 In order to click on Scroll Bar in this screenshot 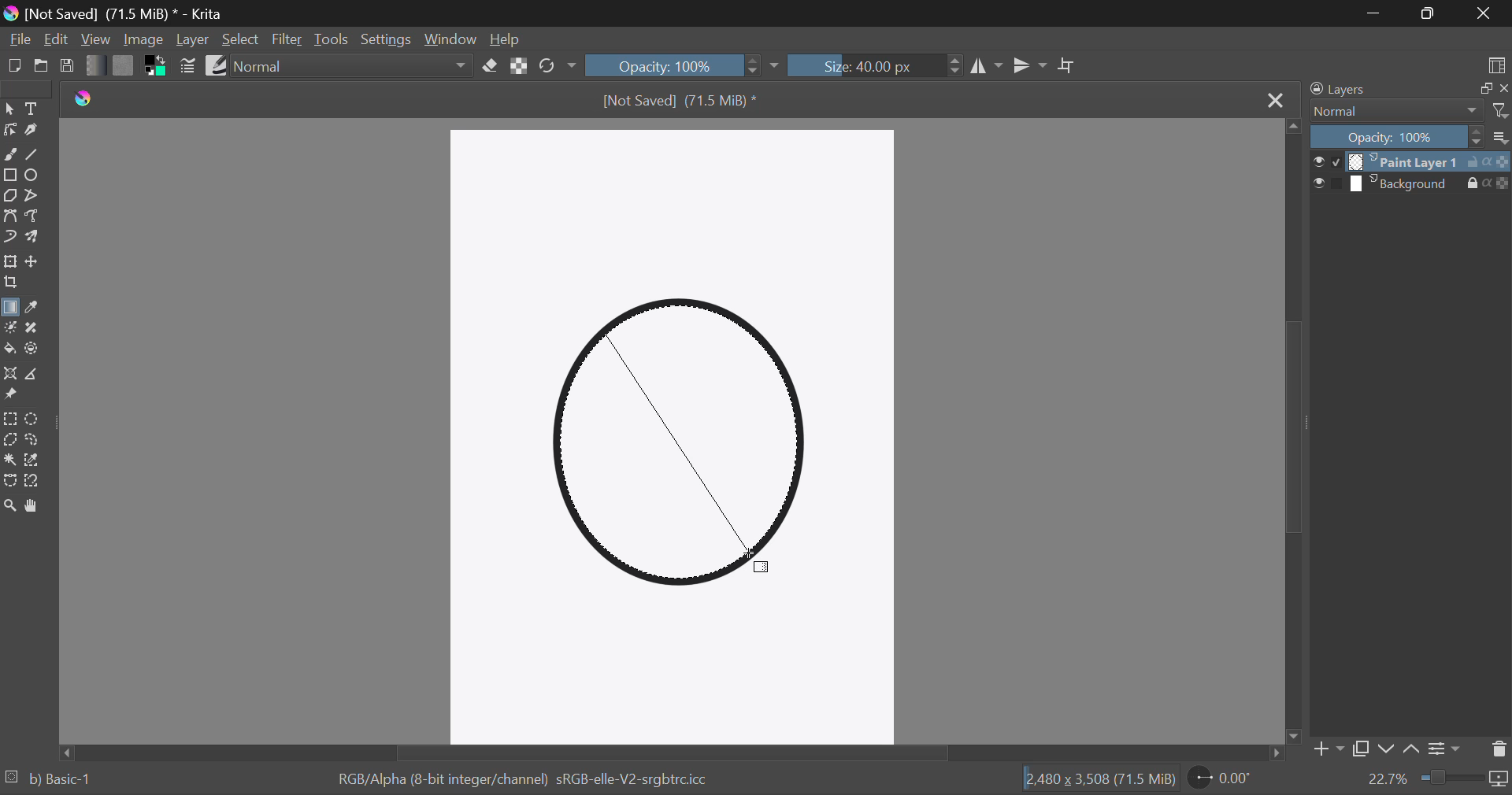, I will do `click(1291, 434)`.